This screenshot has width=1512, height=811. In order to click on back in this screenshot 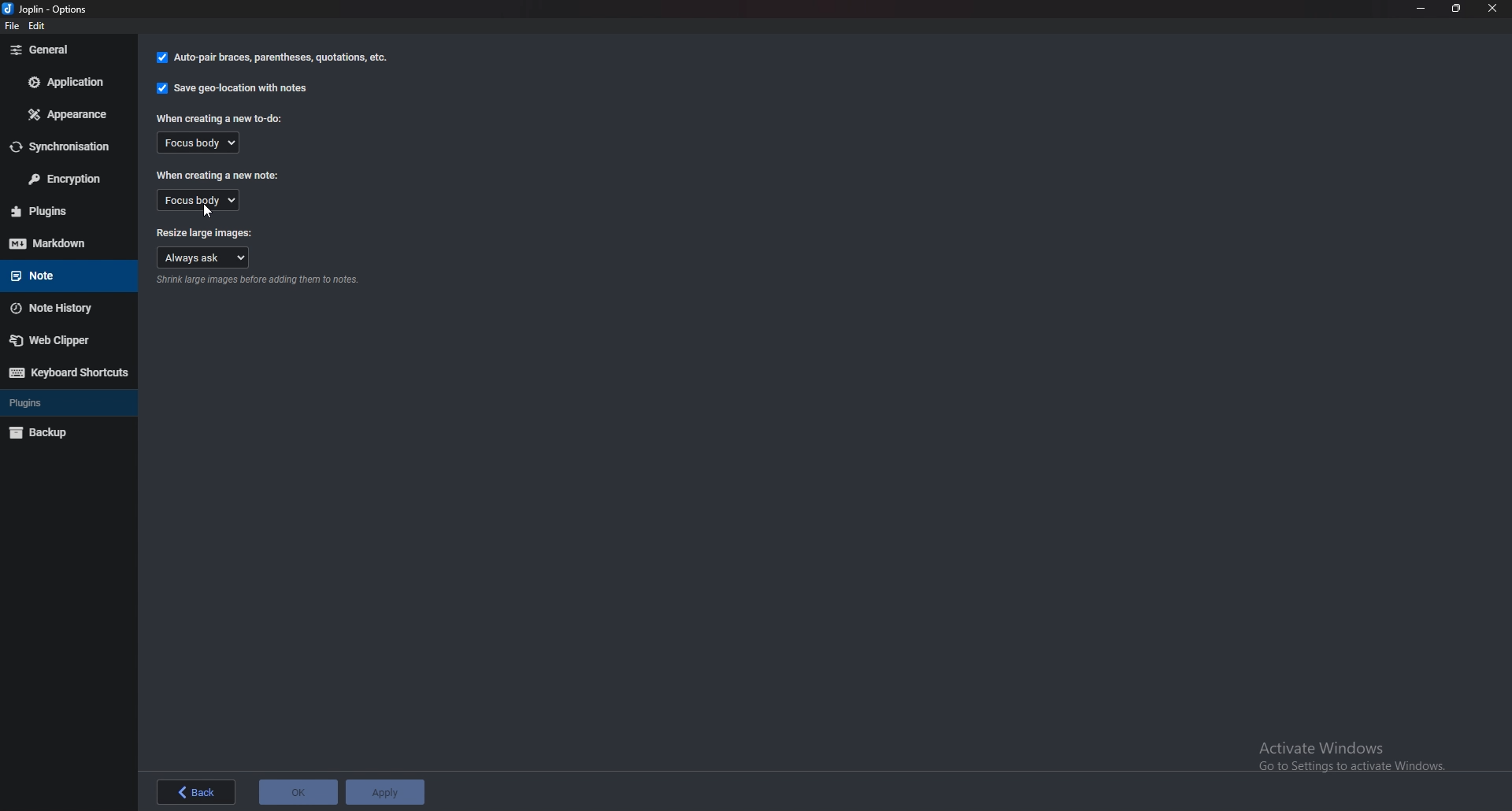, I will do `click(195, 794)`.